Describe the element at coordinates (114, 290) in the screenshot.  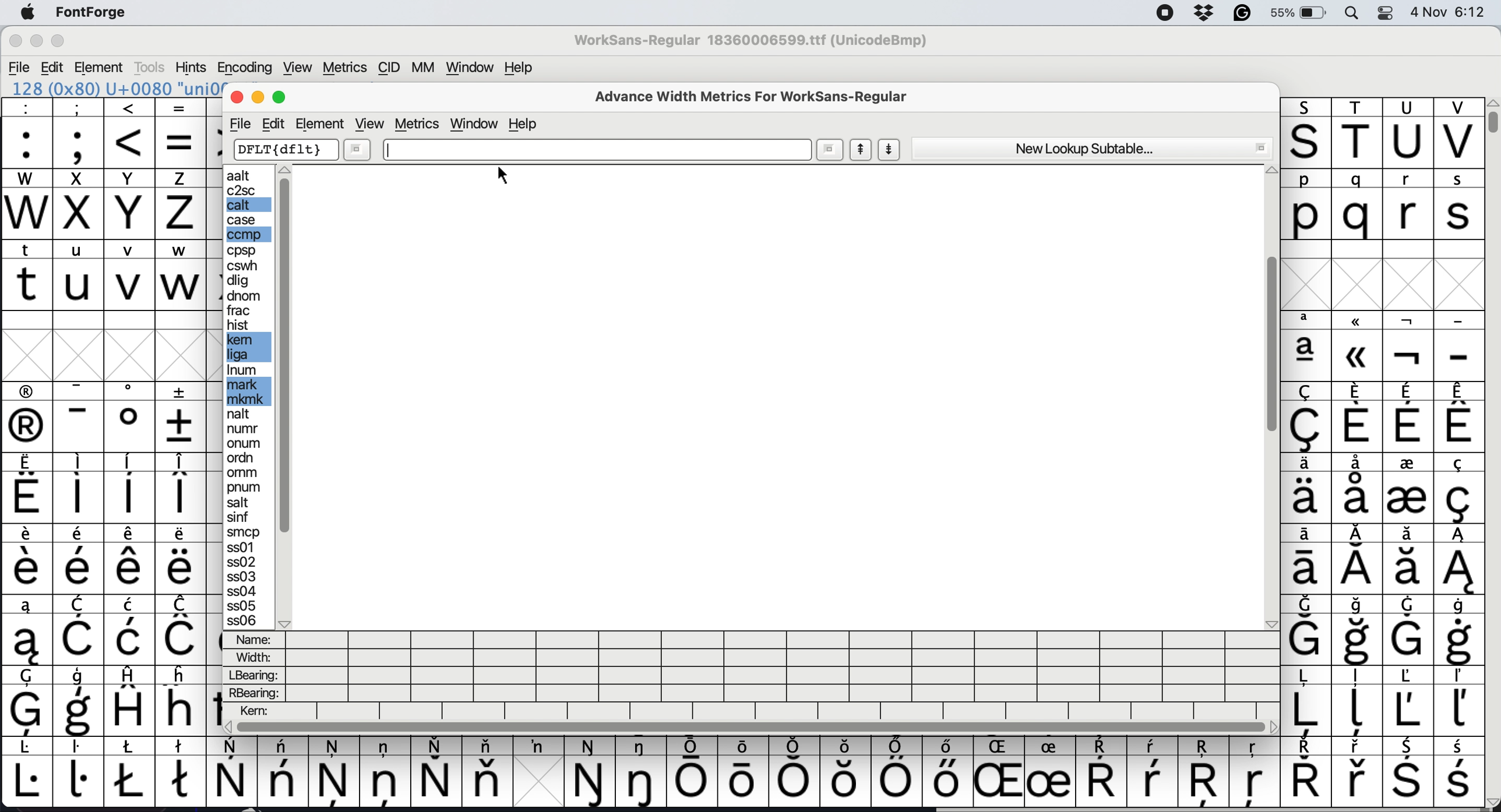
I see `lowercase letters` at that location.